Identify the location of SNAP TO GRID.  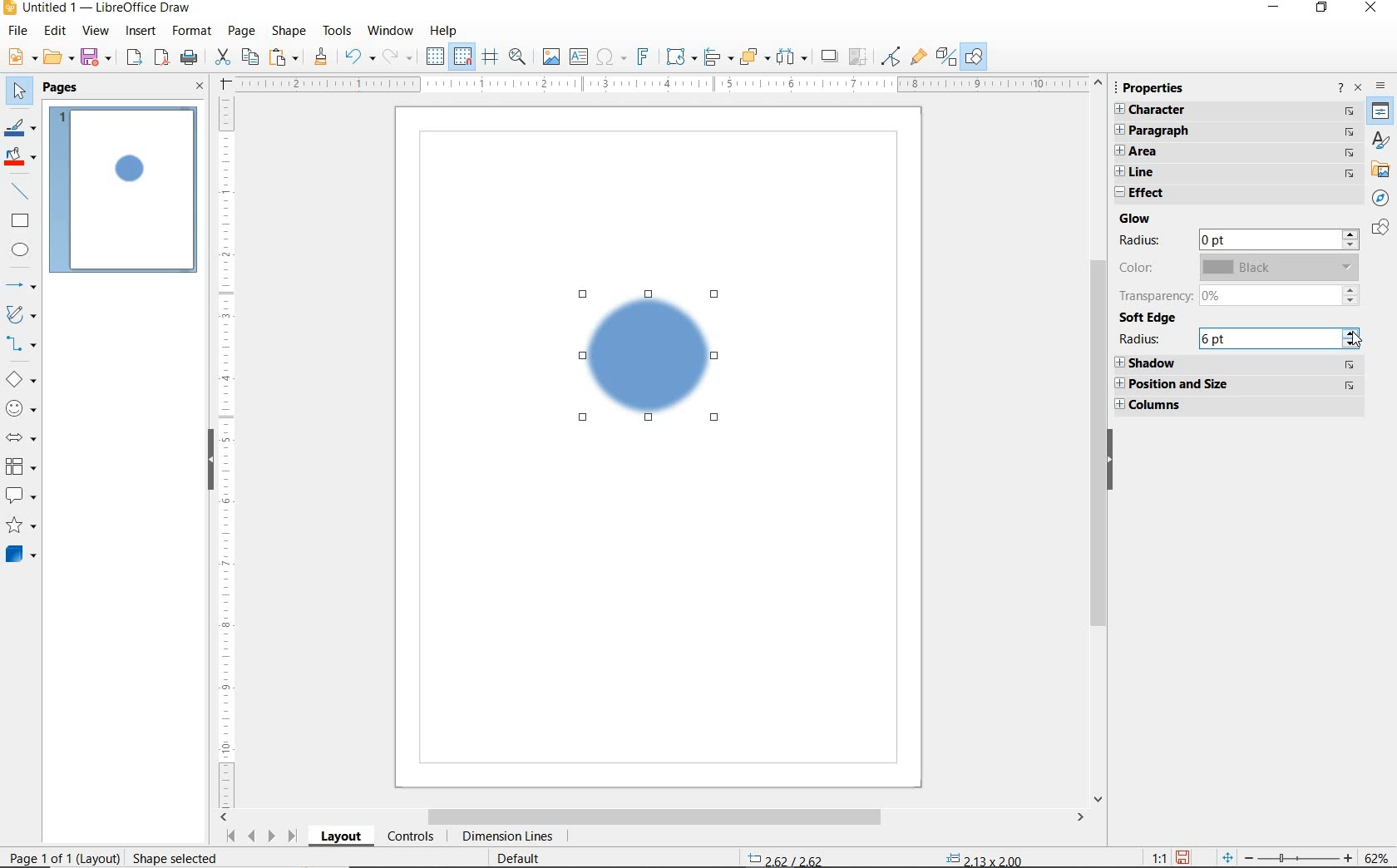
(464, 57).